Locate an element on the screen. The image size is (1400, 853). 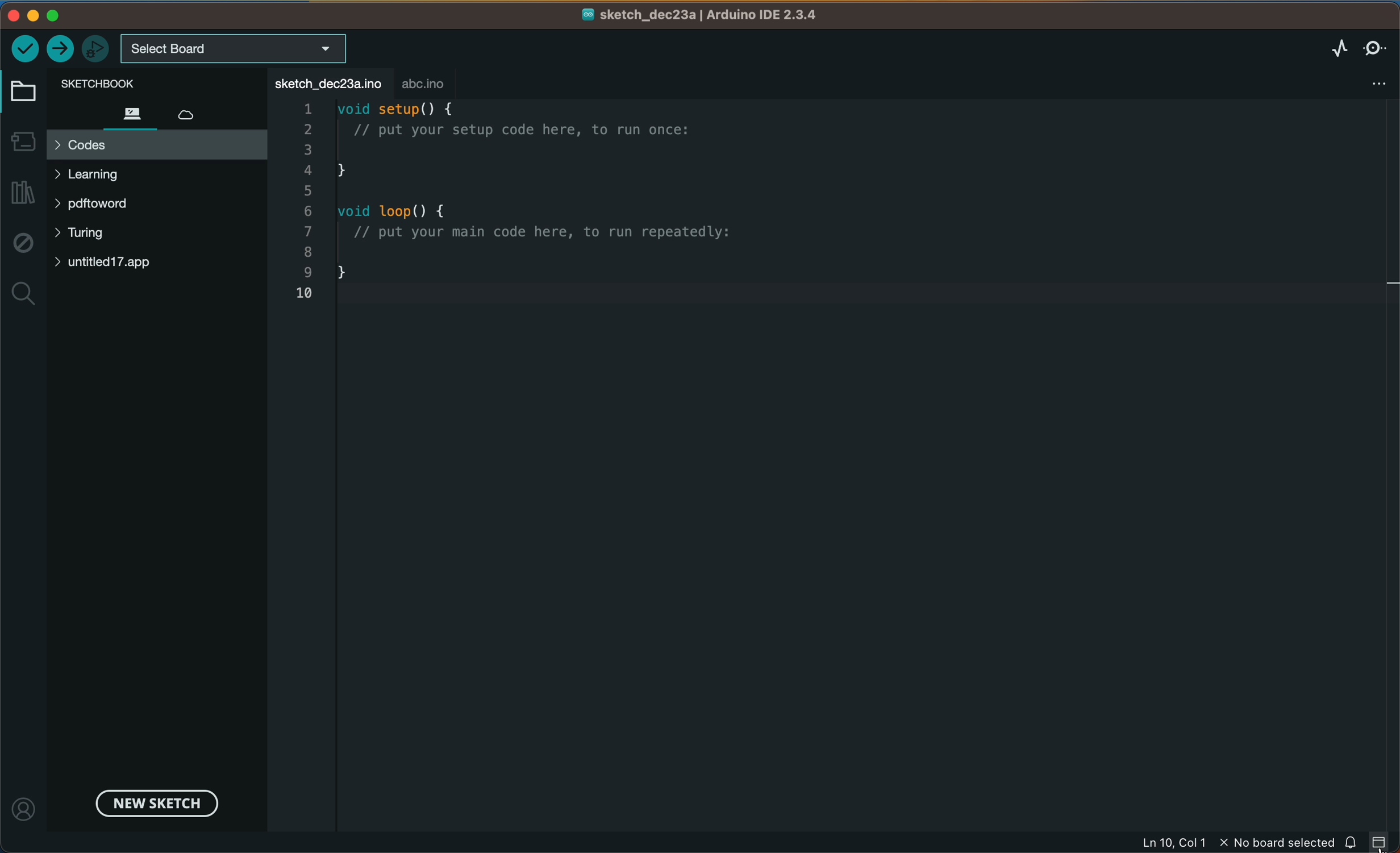
close slide bar is located at coordinates (1383, 843).